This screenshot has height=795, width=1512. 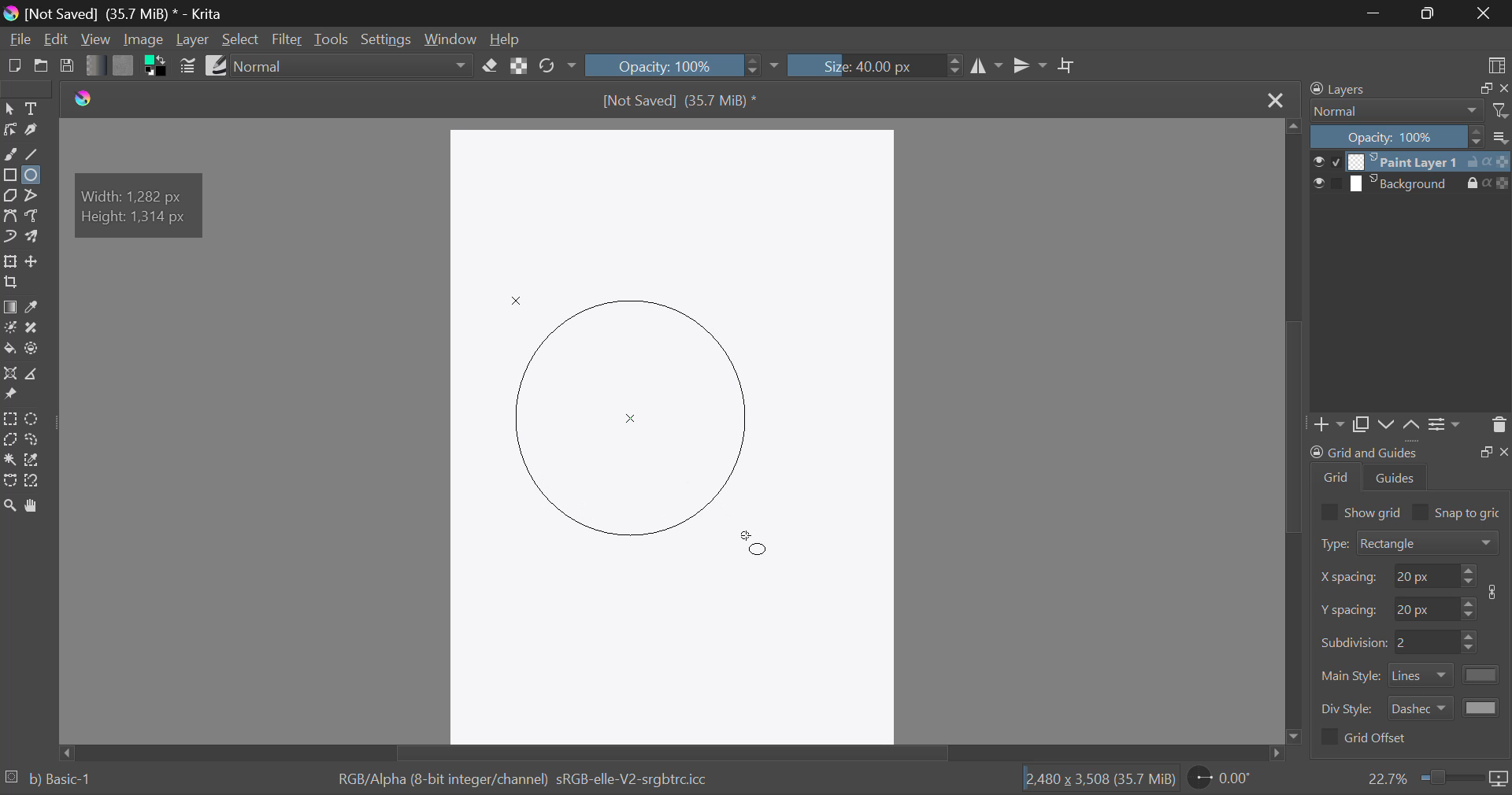 I want to click on Rotate, so click(x=558, y=66).